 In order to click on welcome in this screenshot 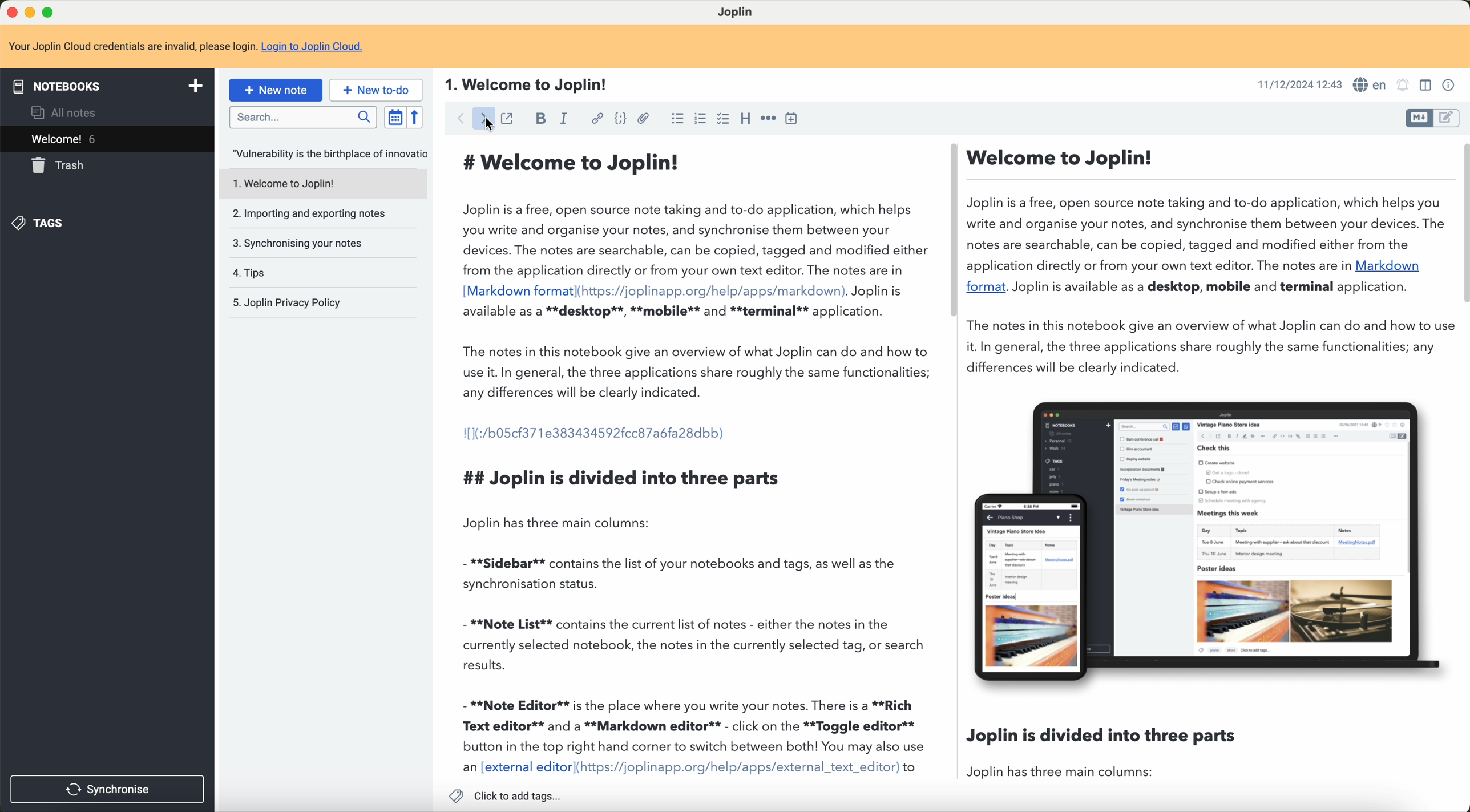, I will do `click(106, 139)`.